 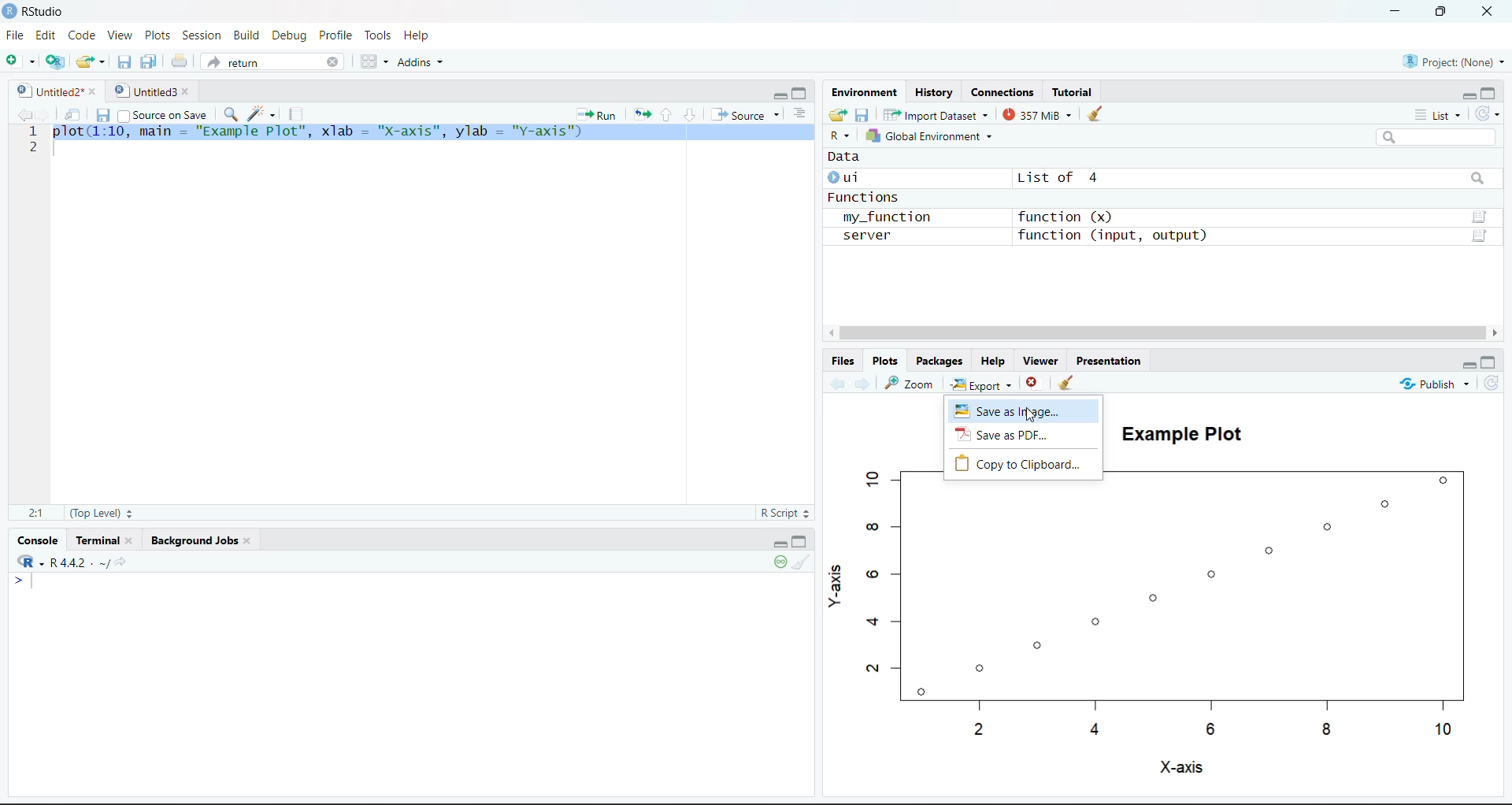 I want to click on Environment, so click(x=864, y=91).